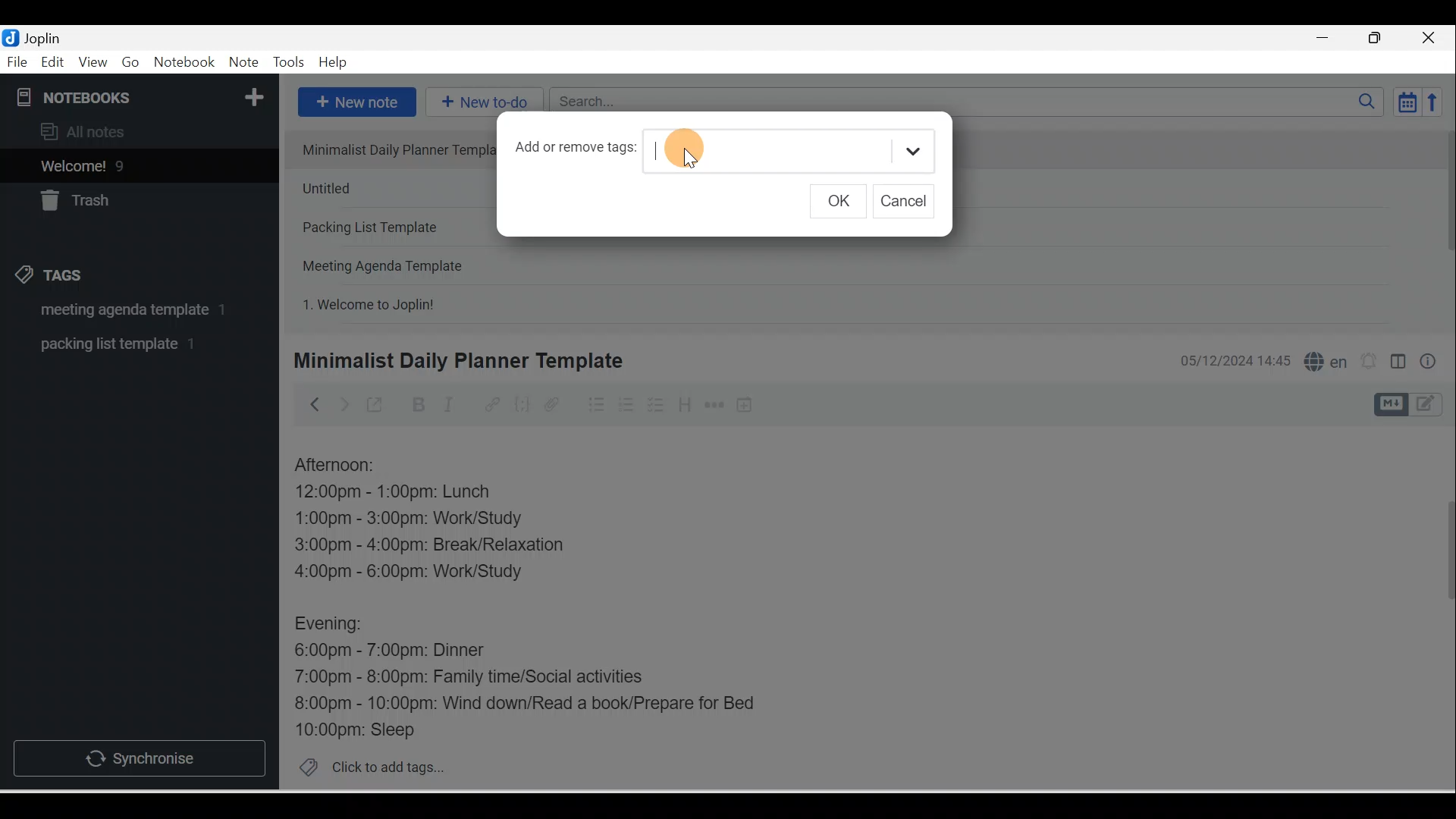 The image size is (1456, 819). I want to click on Notes, so click(128, 162).